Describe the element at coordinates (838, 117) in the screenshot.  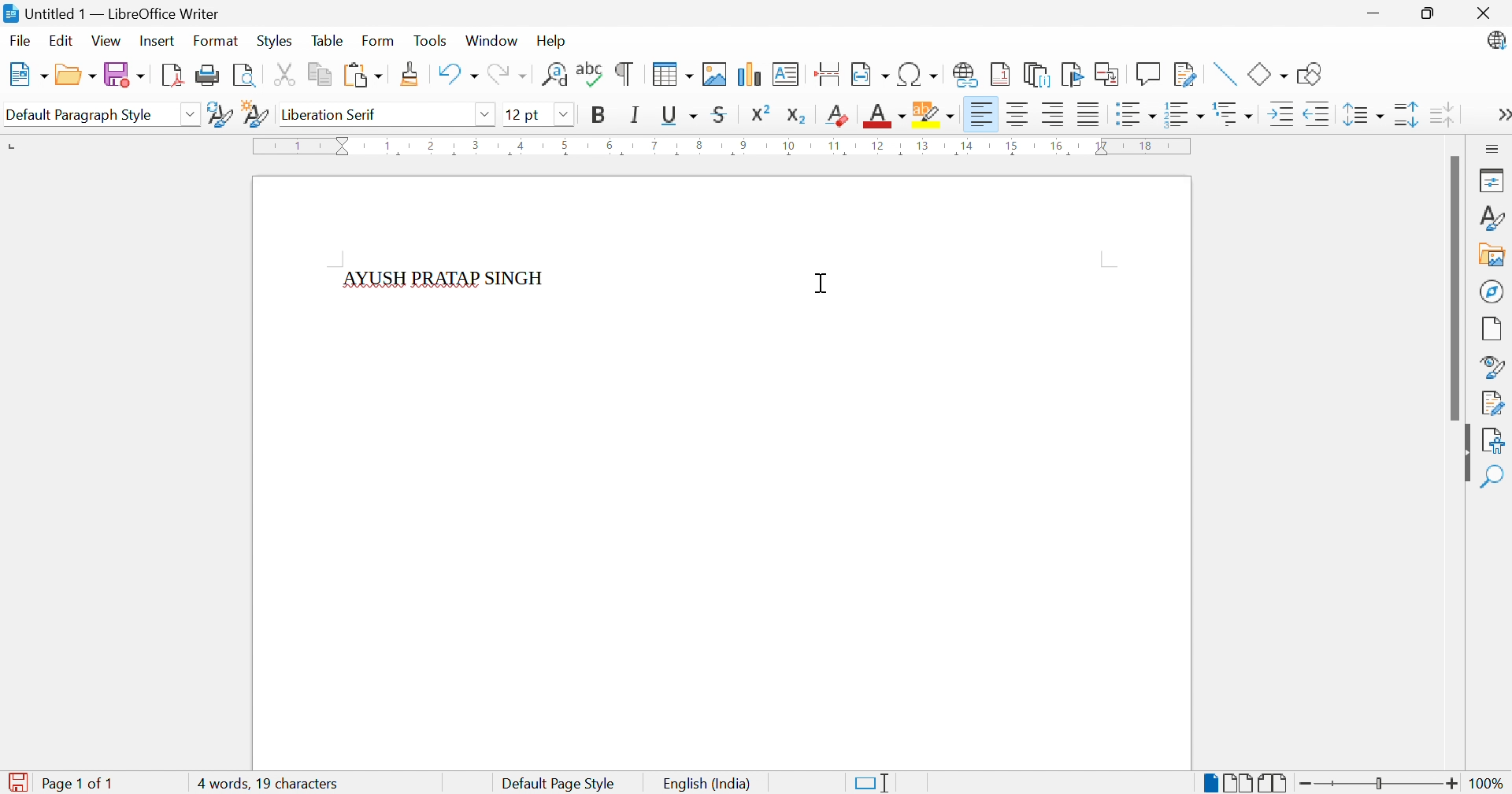
I see `Clear Direct Formatting` at that location.